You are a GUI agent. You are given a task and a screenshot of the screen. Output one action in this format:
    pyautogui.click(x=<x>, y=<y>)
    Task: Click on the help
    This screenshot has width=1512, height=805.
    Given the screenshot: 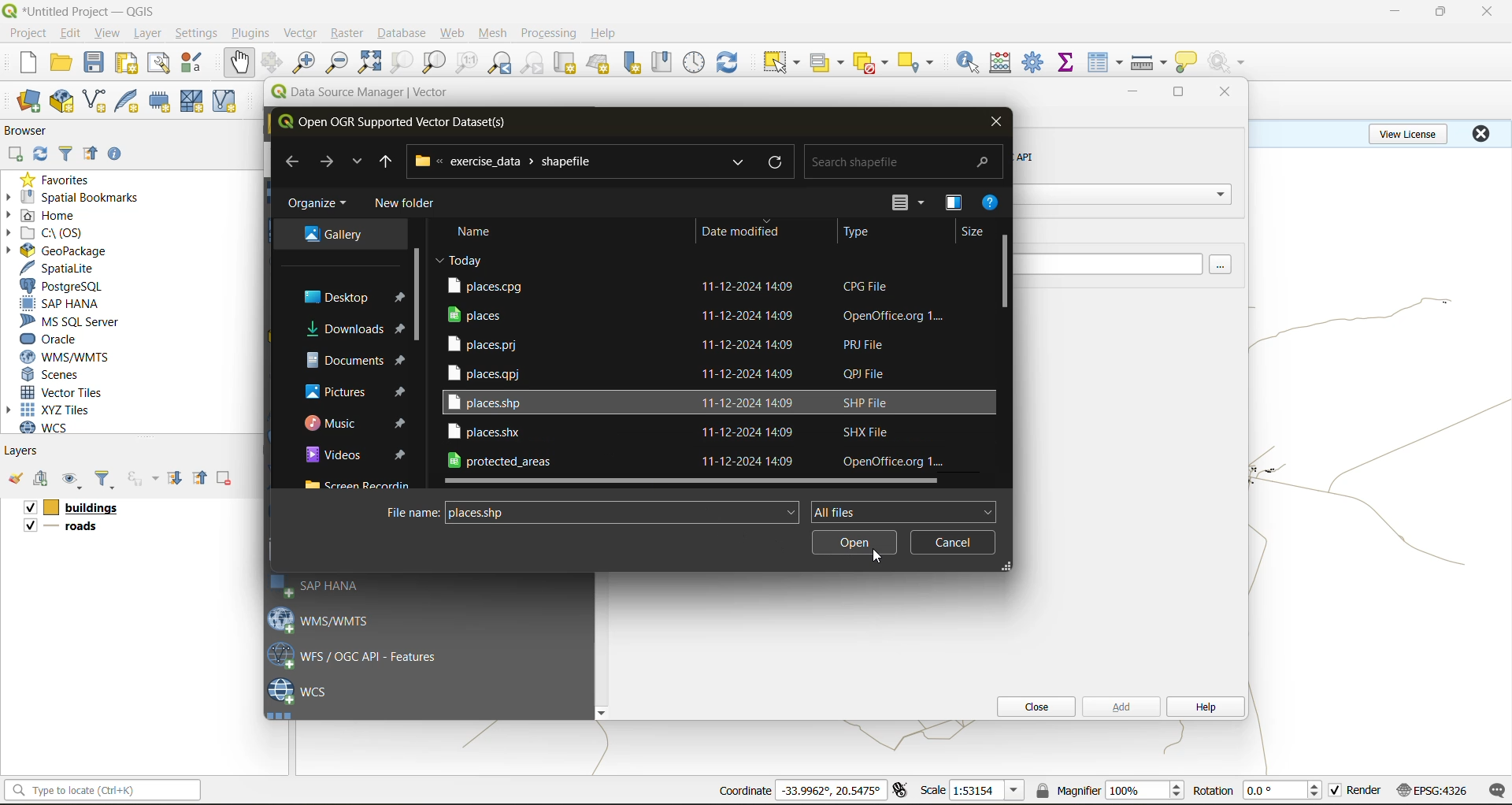 What is the action you would take?
    pyautogui.click(x=606, y=33)
    